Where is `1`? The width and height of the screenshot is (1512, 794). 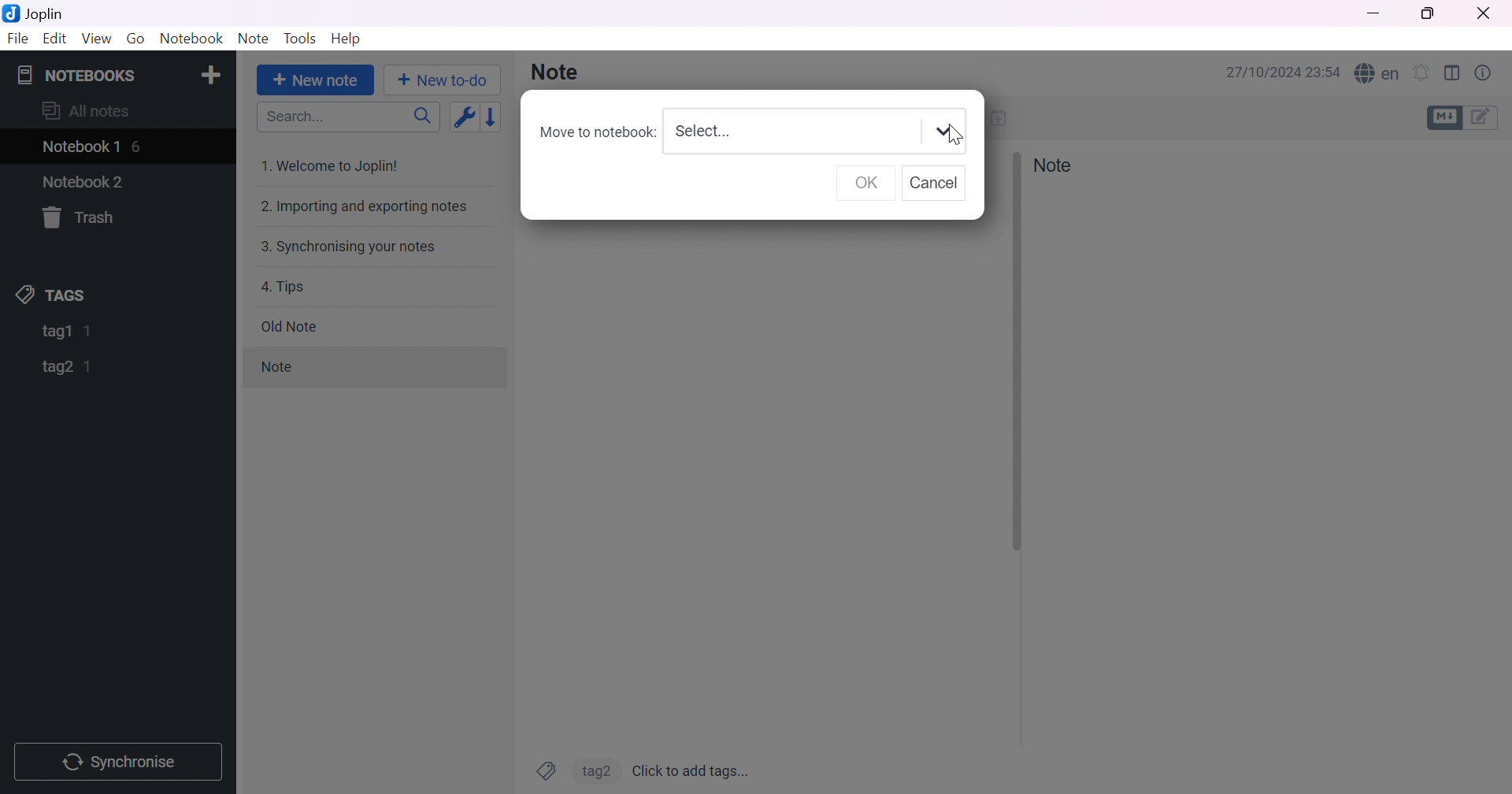
1 is located at coordinates (88, 367).